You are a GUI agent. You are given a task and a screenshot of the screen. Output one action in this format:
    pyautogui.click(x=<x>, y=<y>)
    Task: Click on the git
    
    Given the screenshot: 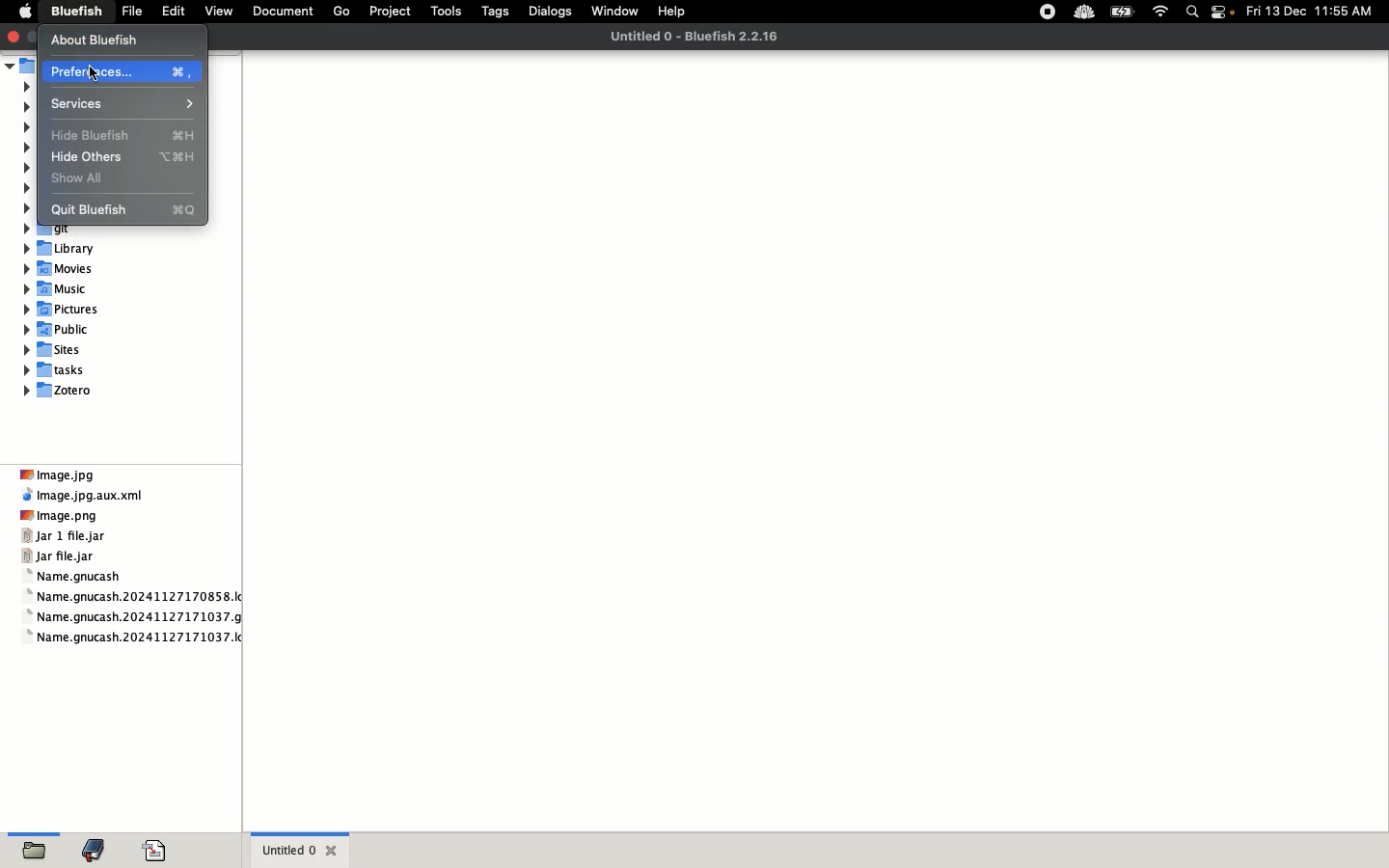 What is the action you would take?
    pyautogui.click(x=51, y=229)
    